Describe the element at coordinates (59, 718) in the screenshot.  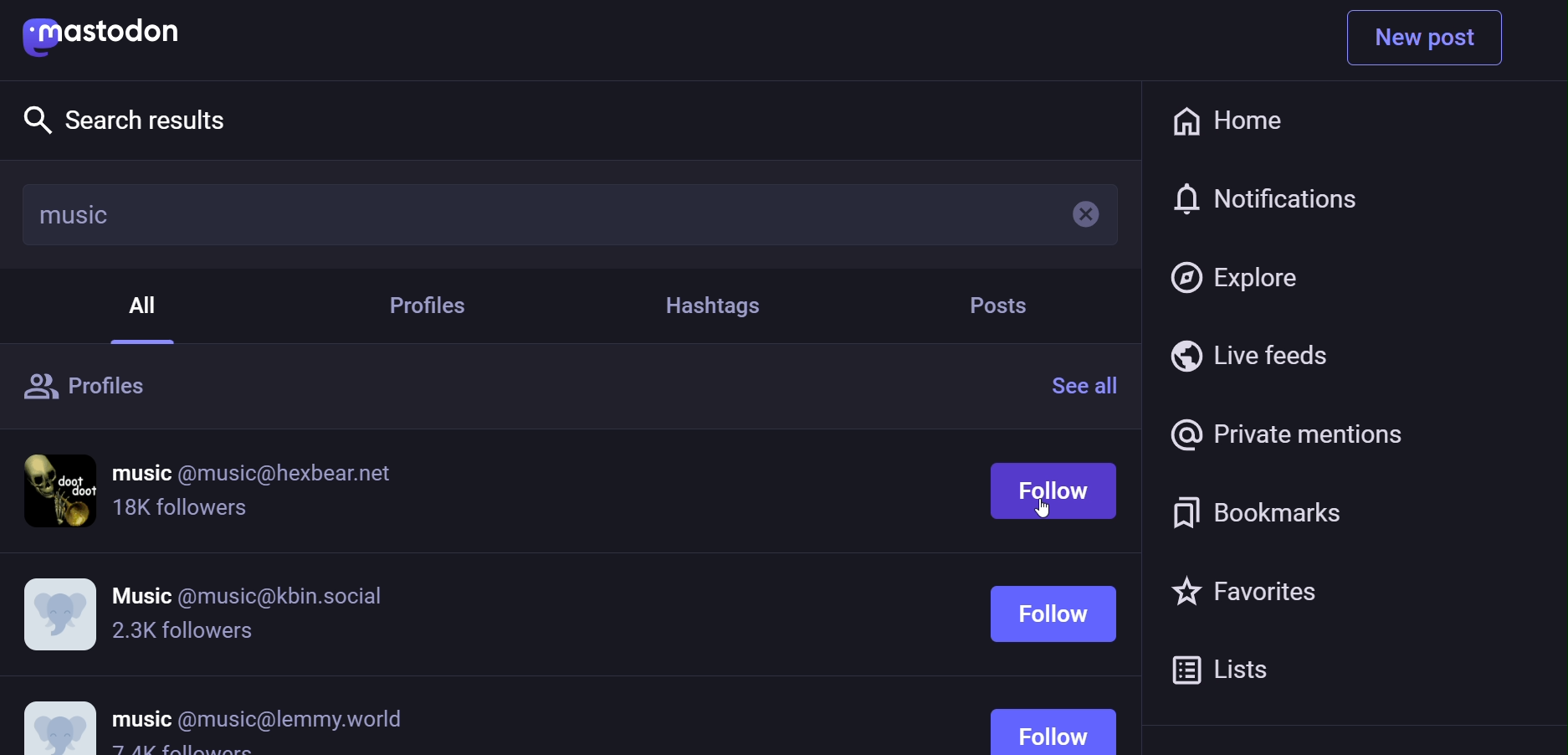
I see `display picture` at that location.